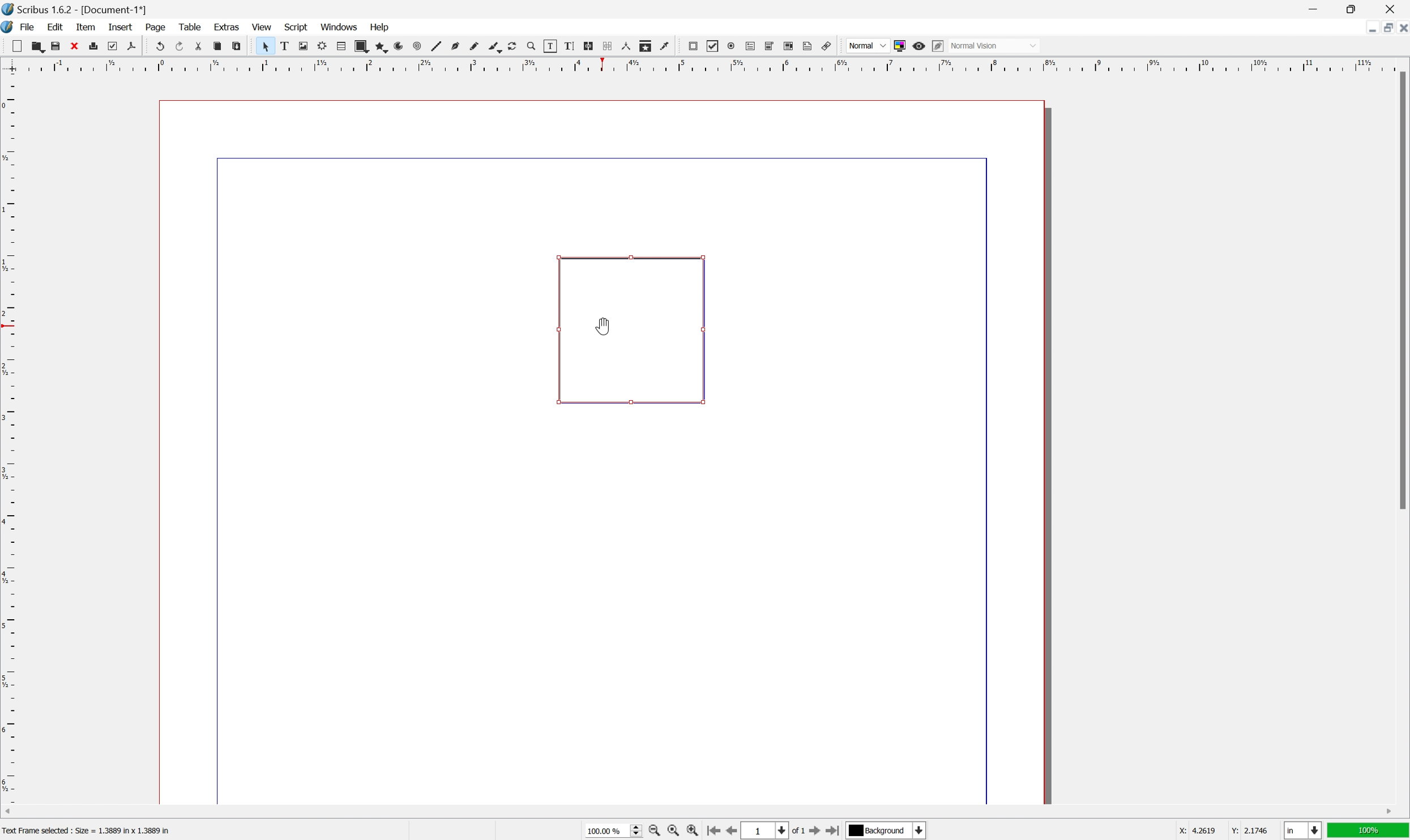 This screenshot has width=1410, height=840. Describe the element at coordinates (631, 331) in the screenshot. I see `link annotation` at that location.